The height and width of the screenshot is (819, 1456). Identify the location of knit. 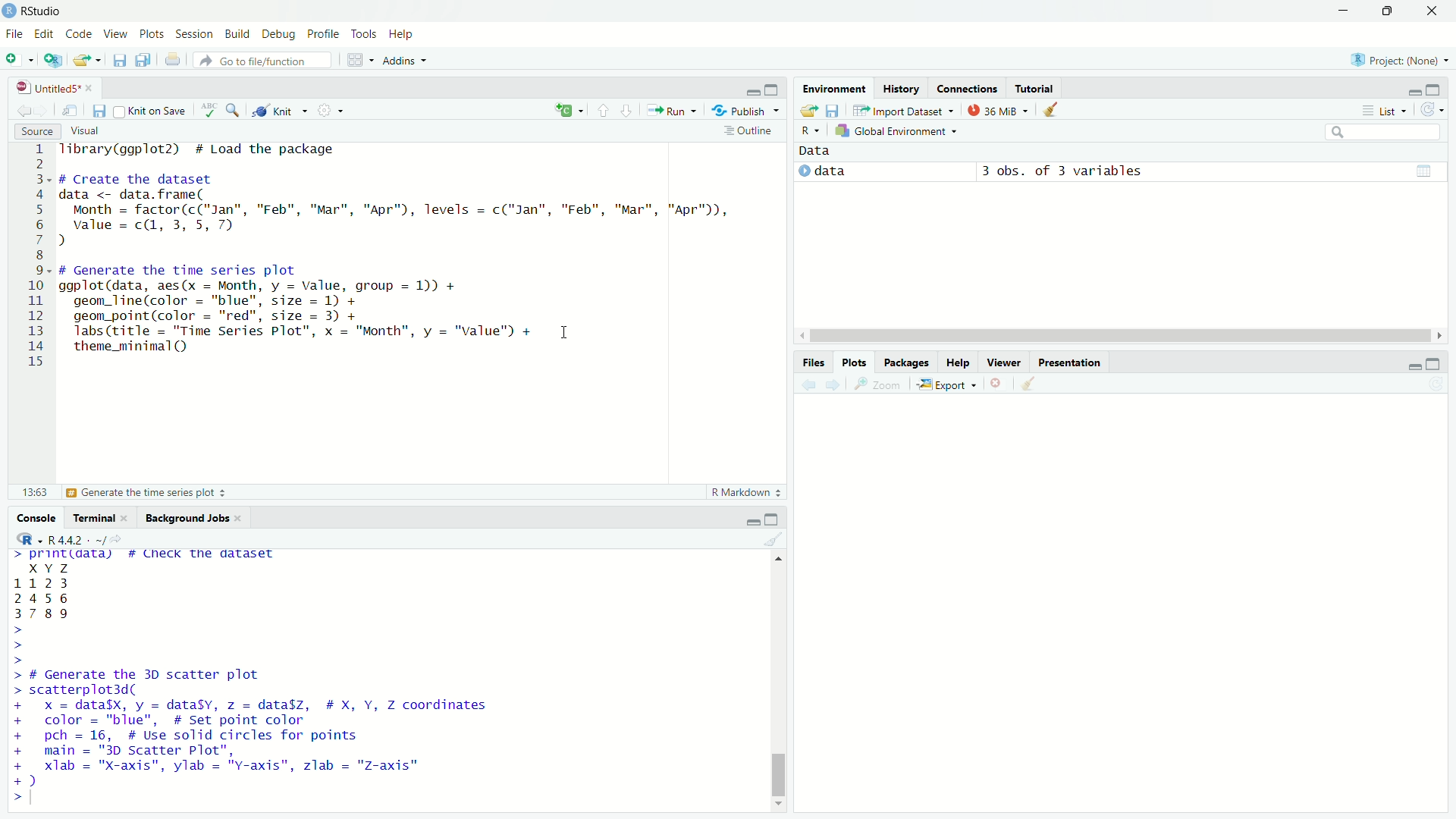
(278, 111).